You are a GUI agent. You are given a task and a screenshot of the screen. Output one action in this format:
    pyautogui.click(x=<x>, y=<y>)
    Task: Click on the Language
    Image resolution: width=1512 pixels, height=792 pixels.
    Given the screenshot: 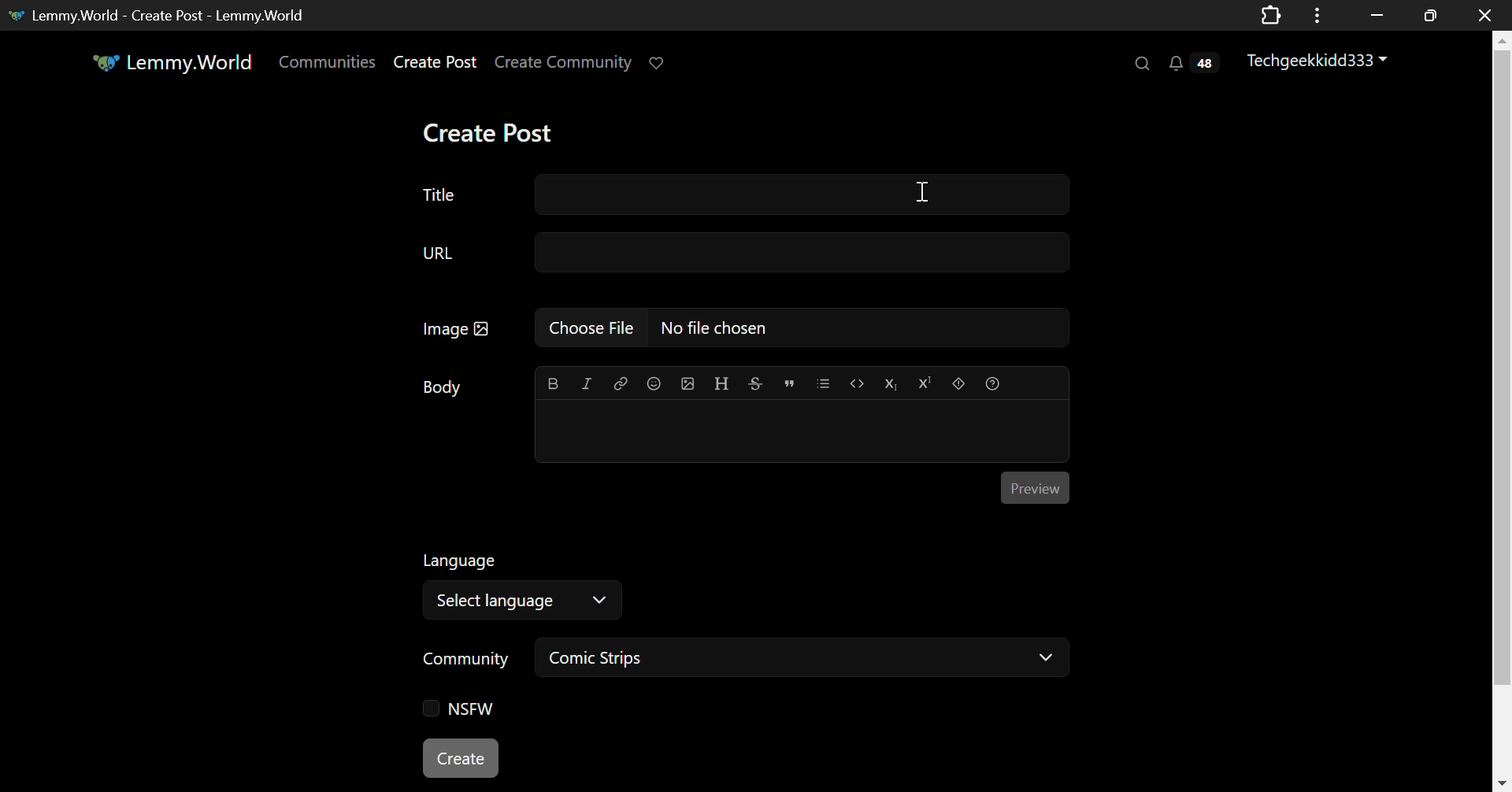 What is the action you would take?
    pyautogui.click(x=459, y=561)
    